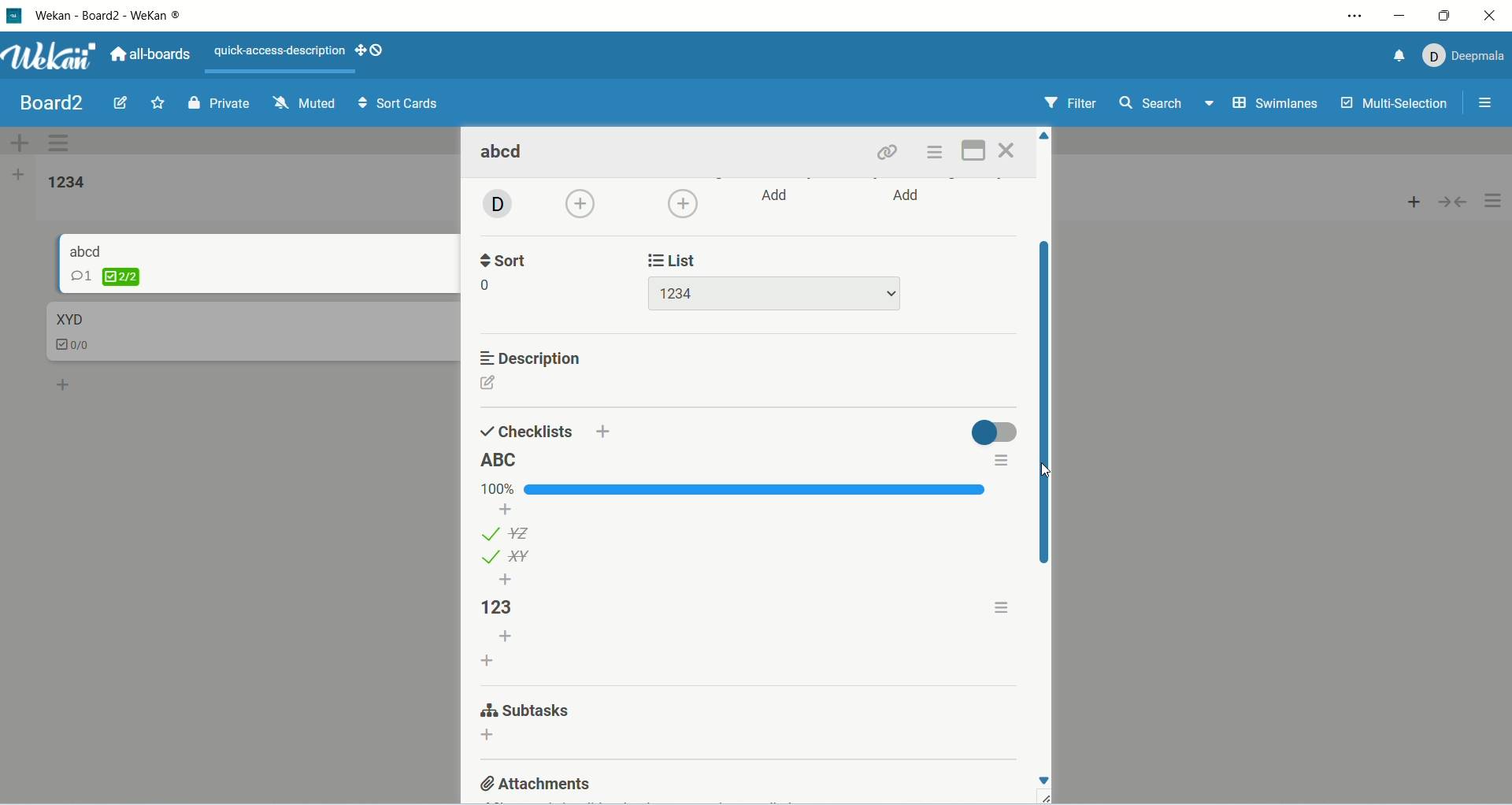 The image size is (1512, 805). I want to click on card title, so click(505, 154).